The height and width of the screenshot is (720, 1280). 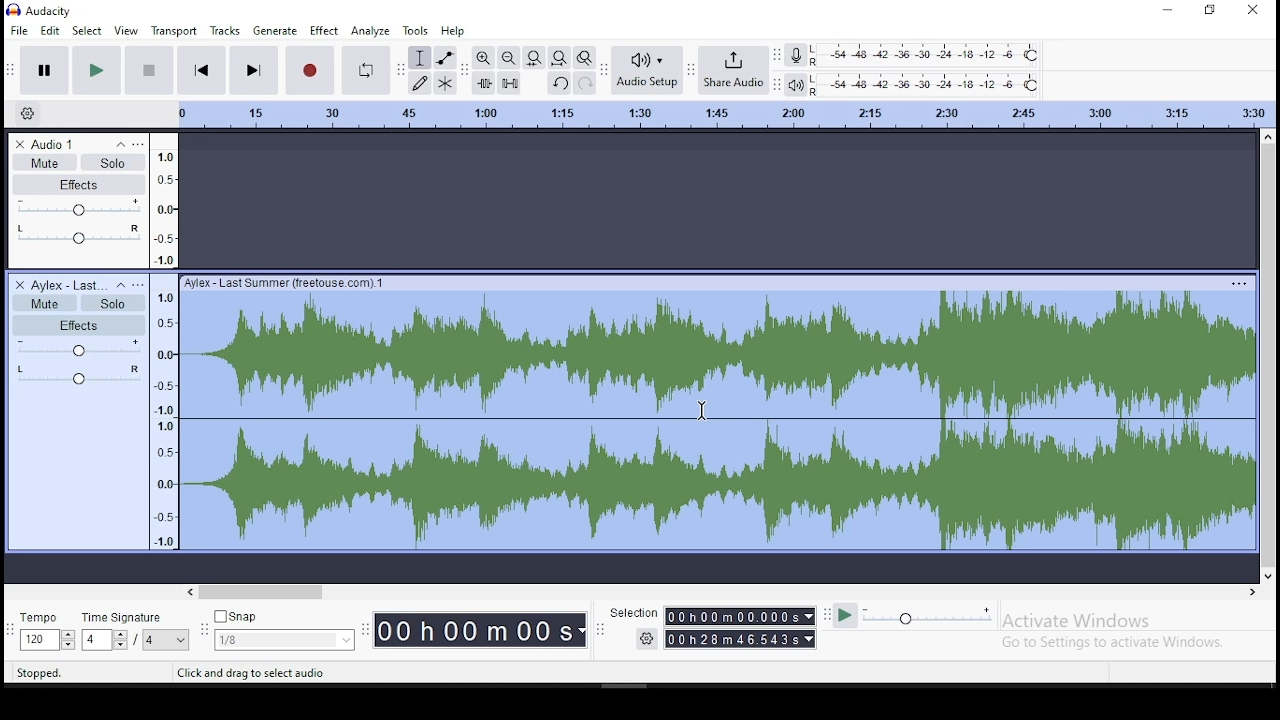 I want to click on generate, so click(x=276, y=32).